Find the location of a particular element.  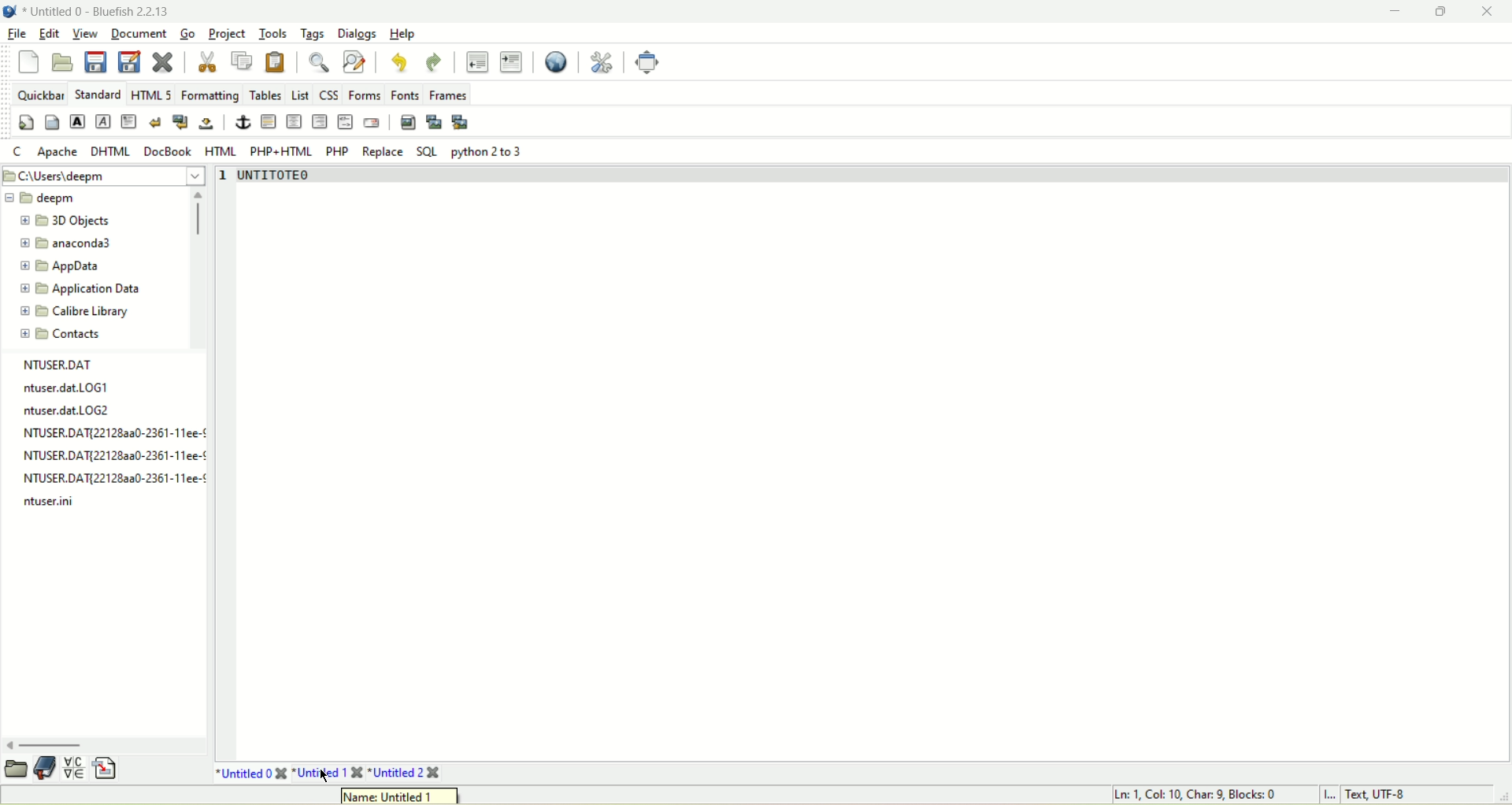

edit is located at coordinates (47, 33).